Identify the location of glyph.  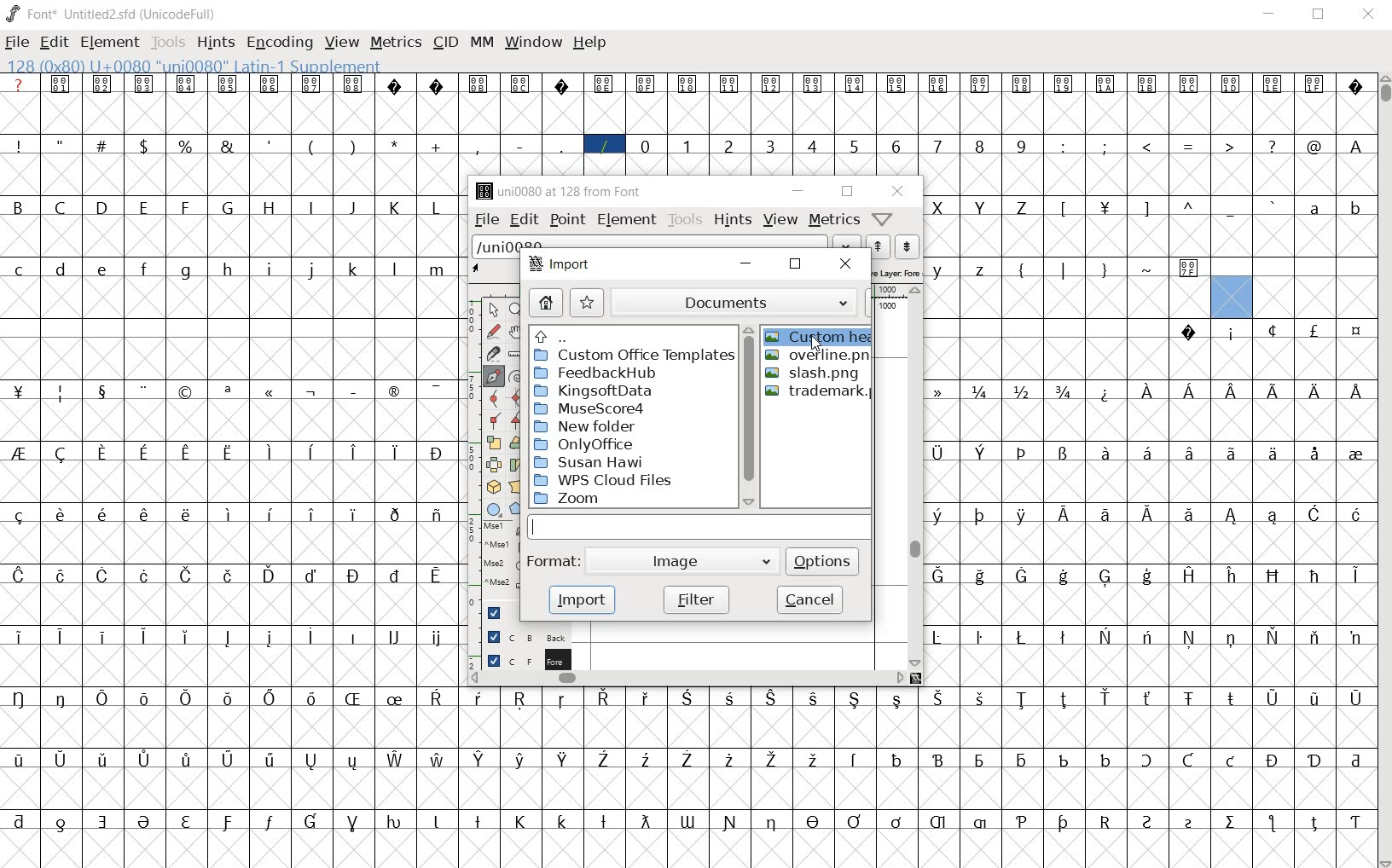
(1189, 760).